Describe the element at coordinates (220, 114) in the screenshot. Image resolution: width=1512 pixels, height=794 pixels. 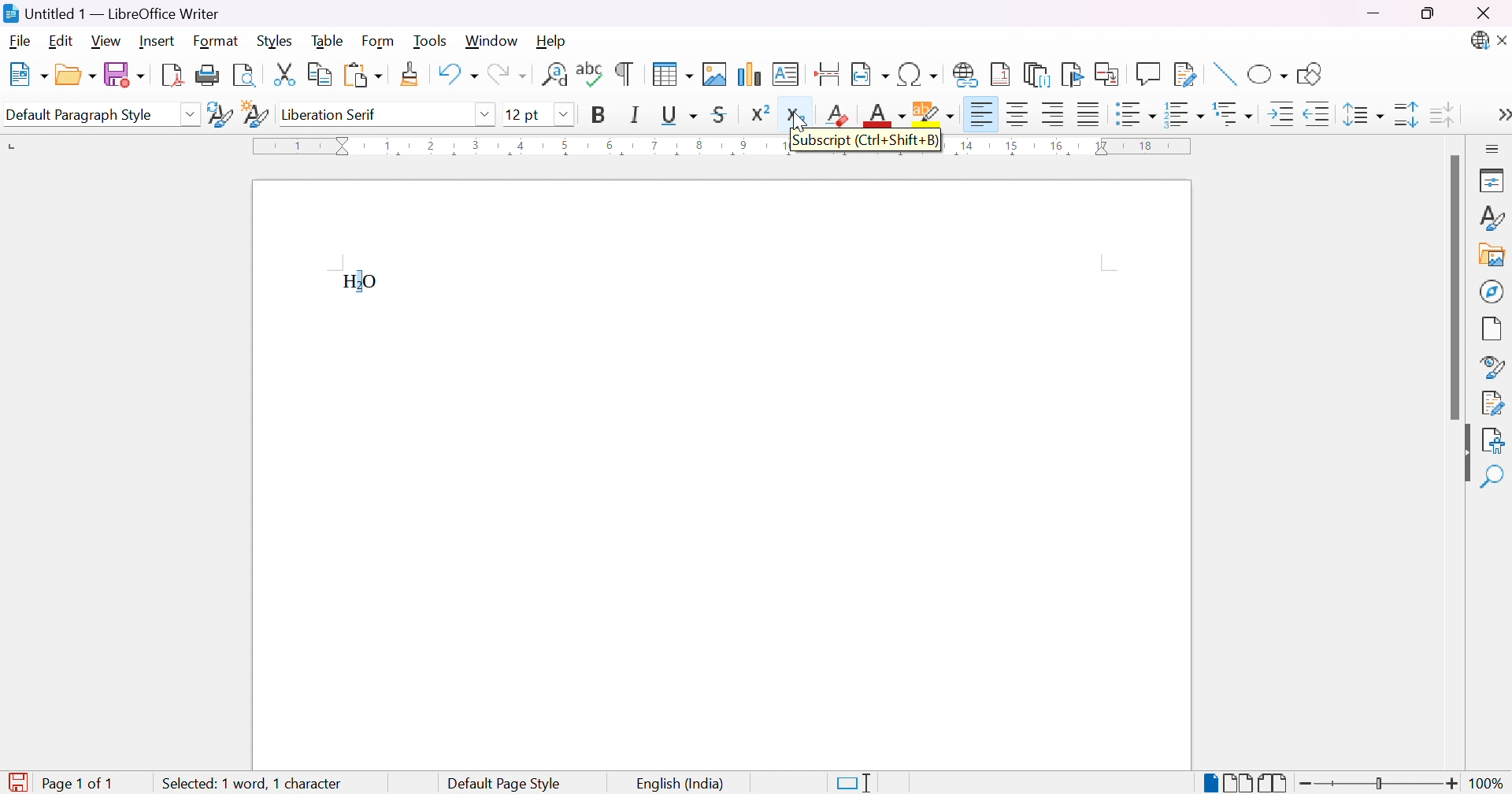
I see `Update selected style` at that location.